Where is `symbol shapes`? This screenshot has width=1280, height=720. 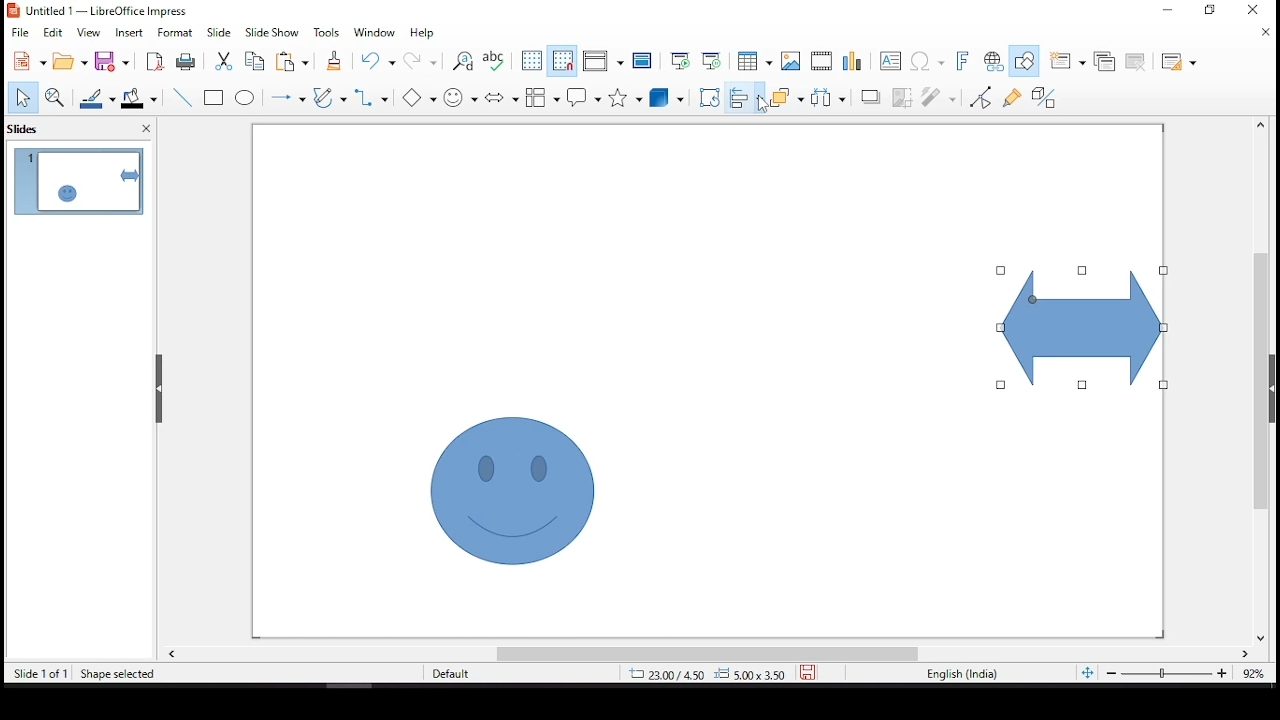
symbol shapes is located at coordinates (463, 96).